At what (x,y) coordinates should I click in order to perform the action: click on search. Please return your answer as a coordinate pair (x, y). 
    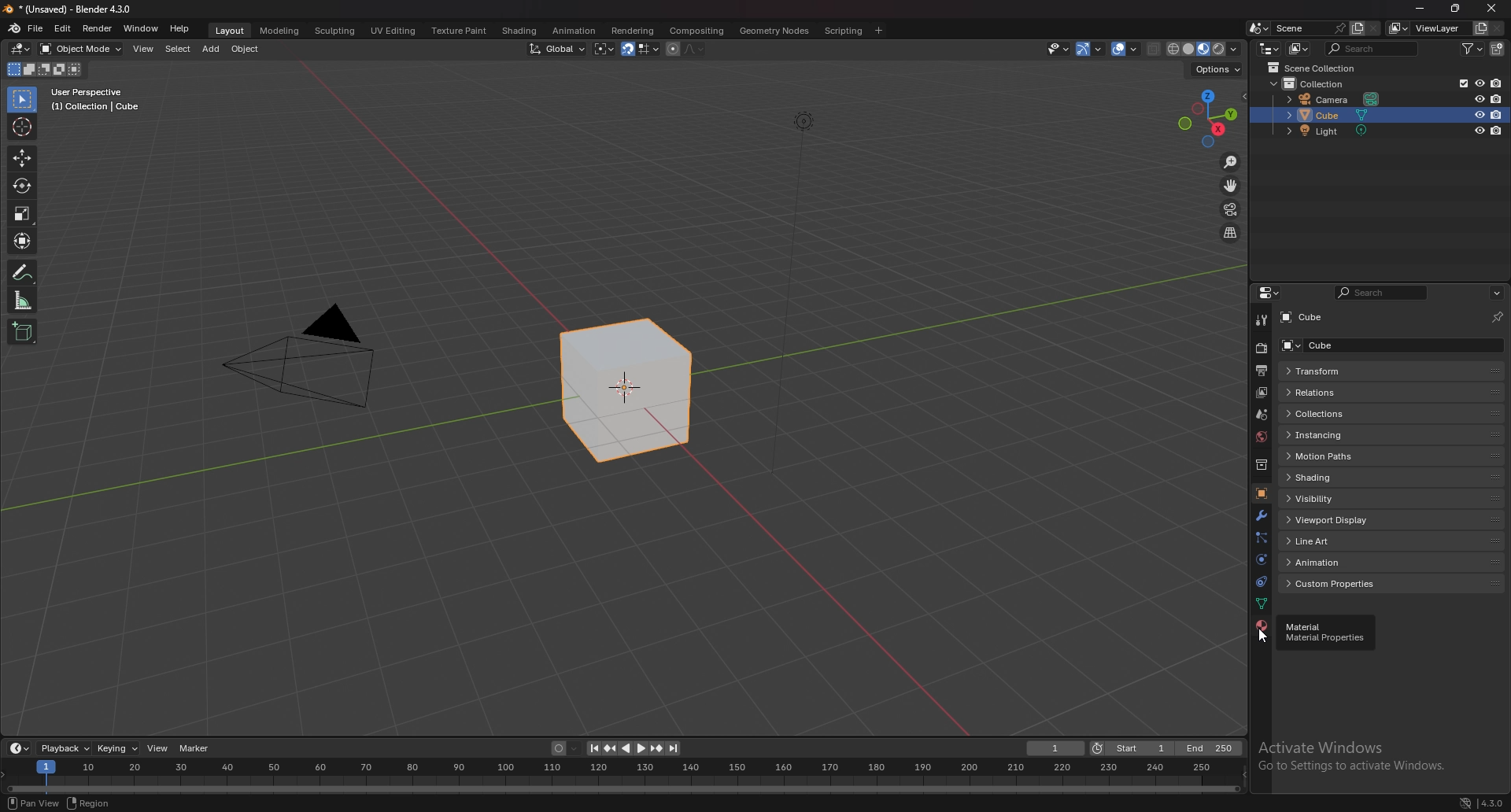
    Looking at the image, I should click on (1385, 293).